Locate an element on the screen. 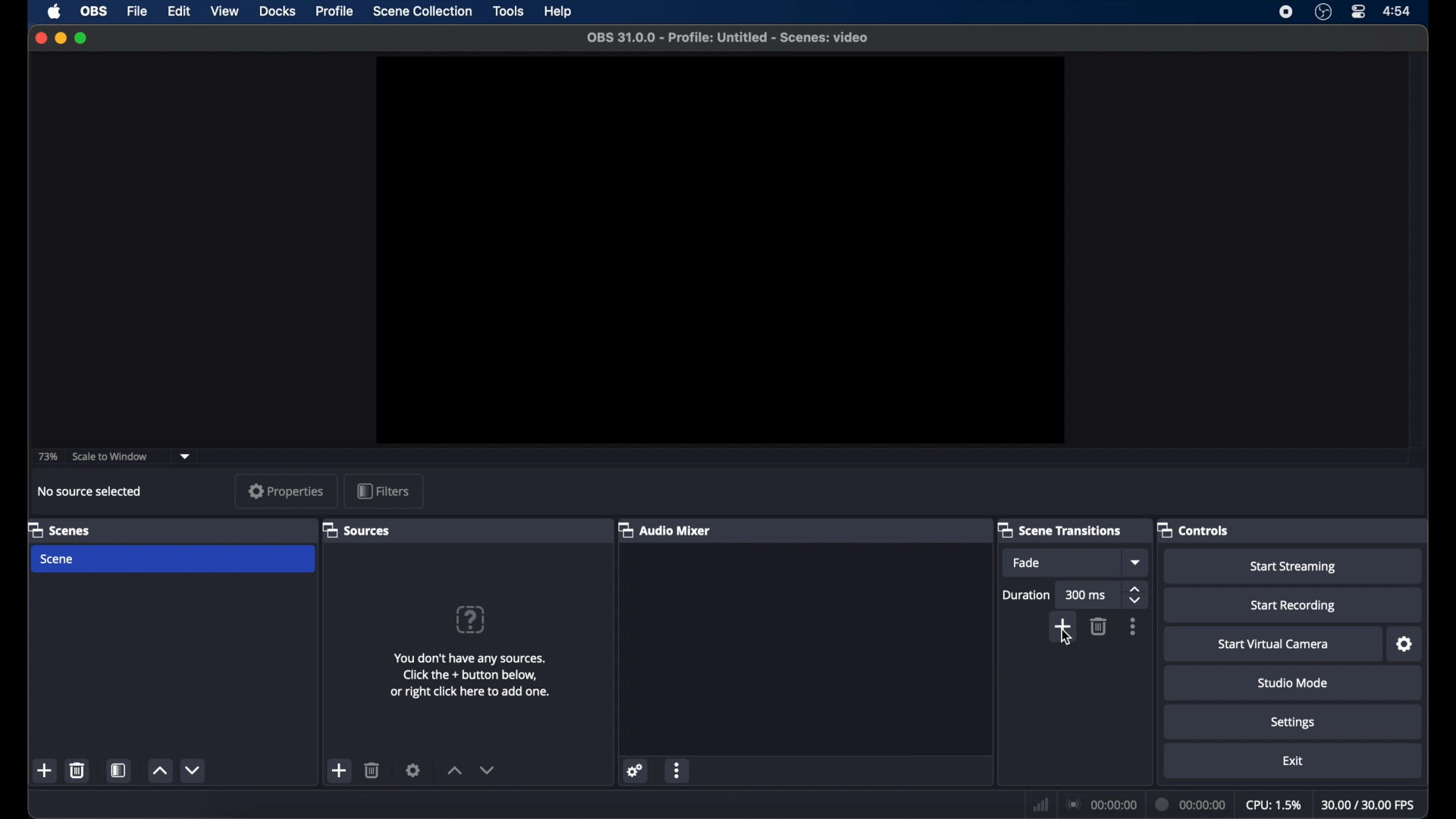  scale to window is located at coordinates (111, 457).